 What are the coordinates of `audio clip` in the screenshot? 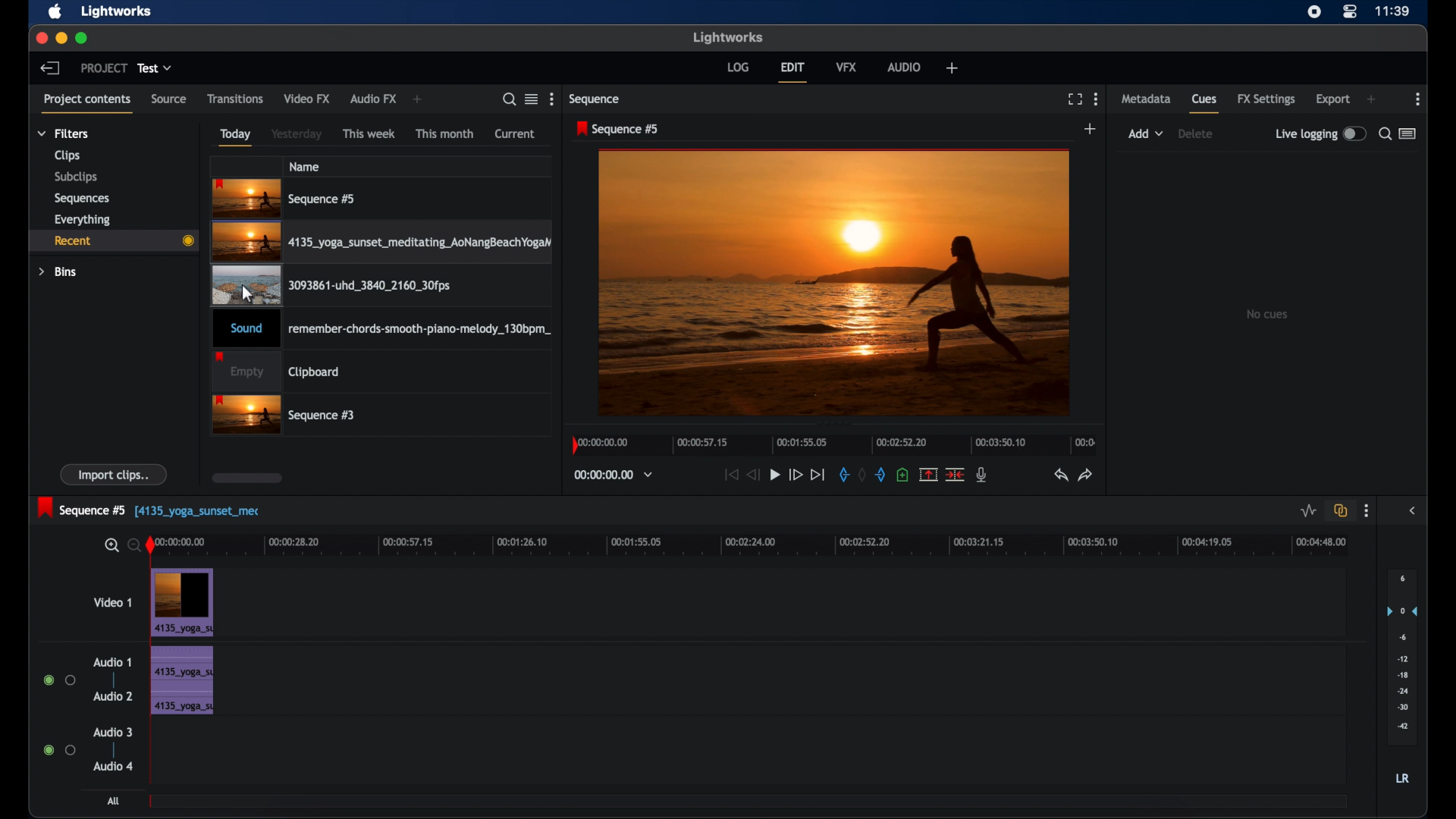 It's located at (379, 329).